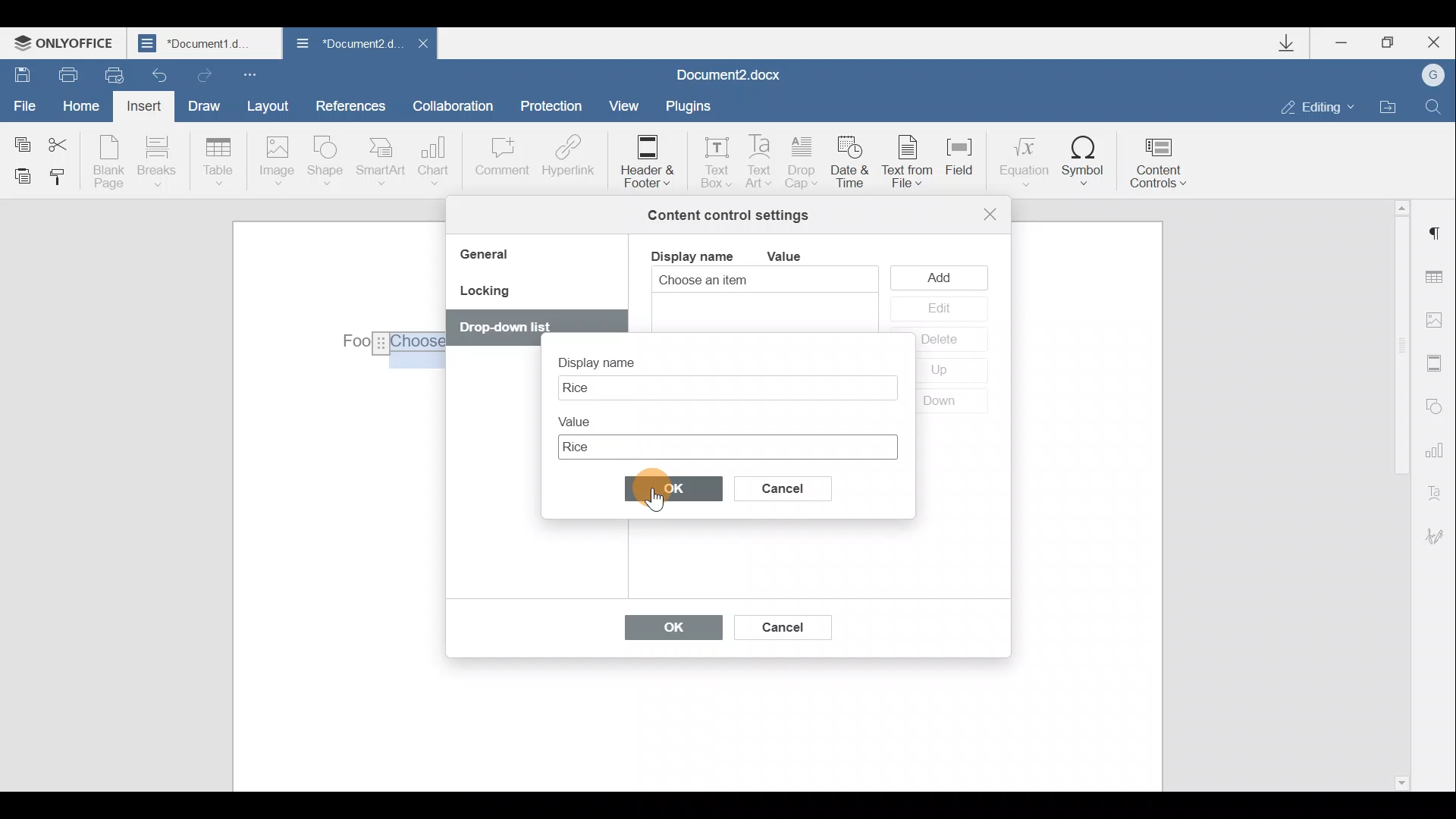  I want to click on , so click(507, 328).